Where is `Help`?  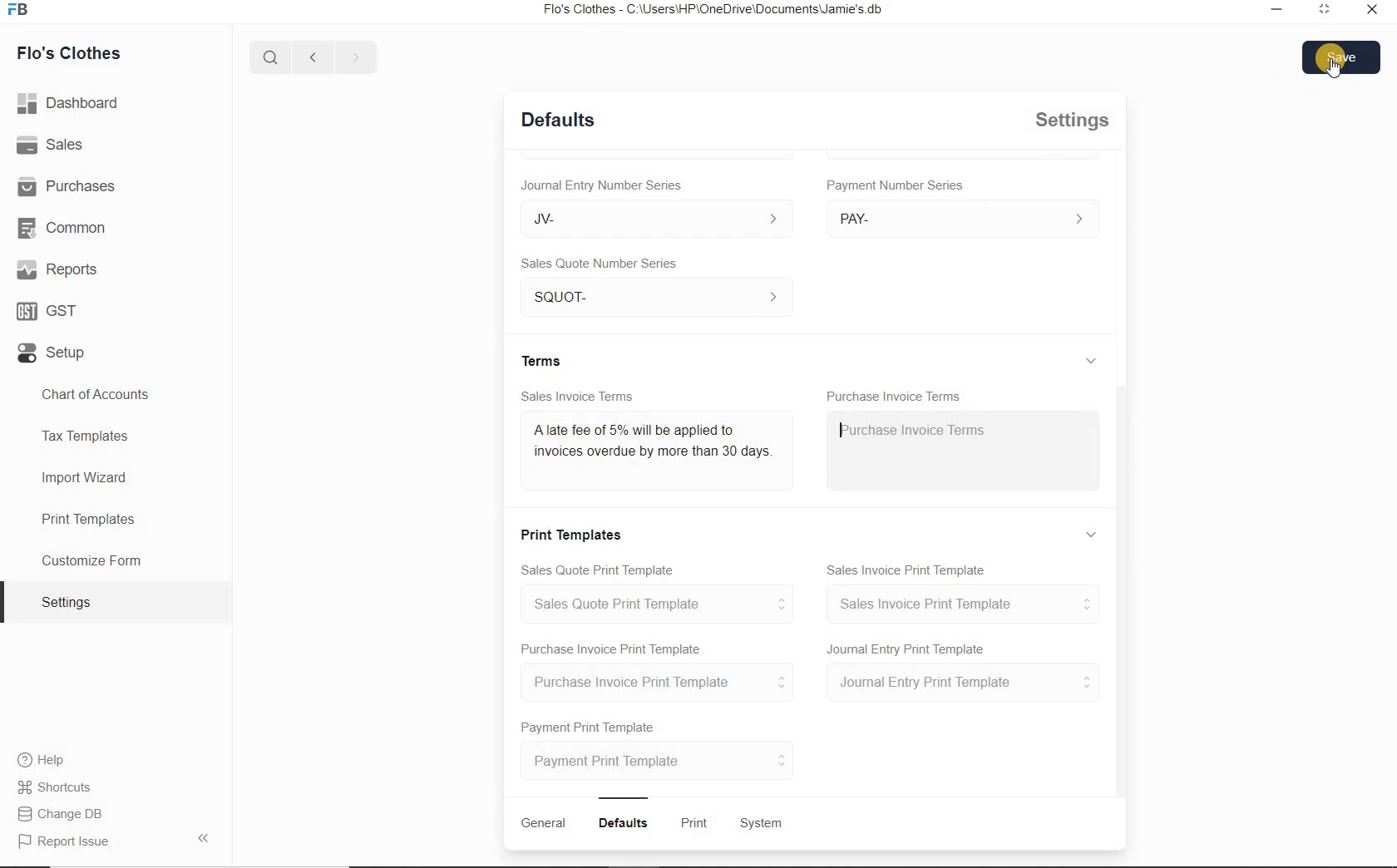
Help is located at coordinates (47, 762).